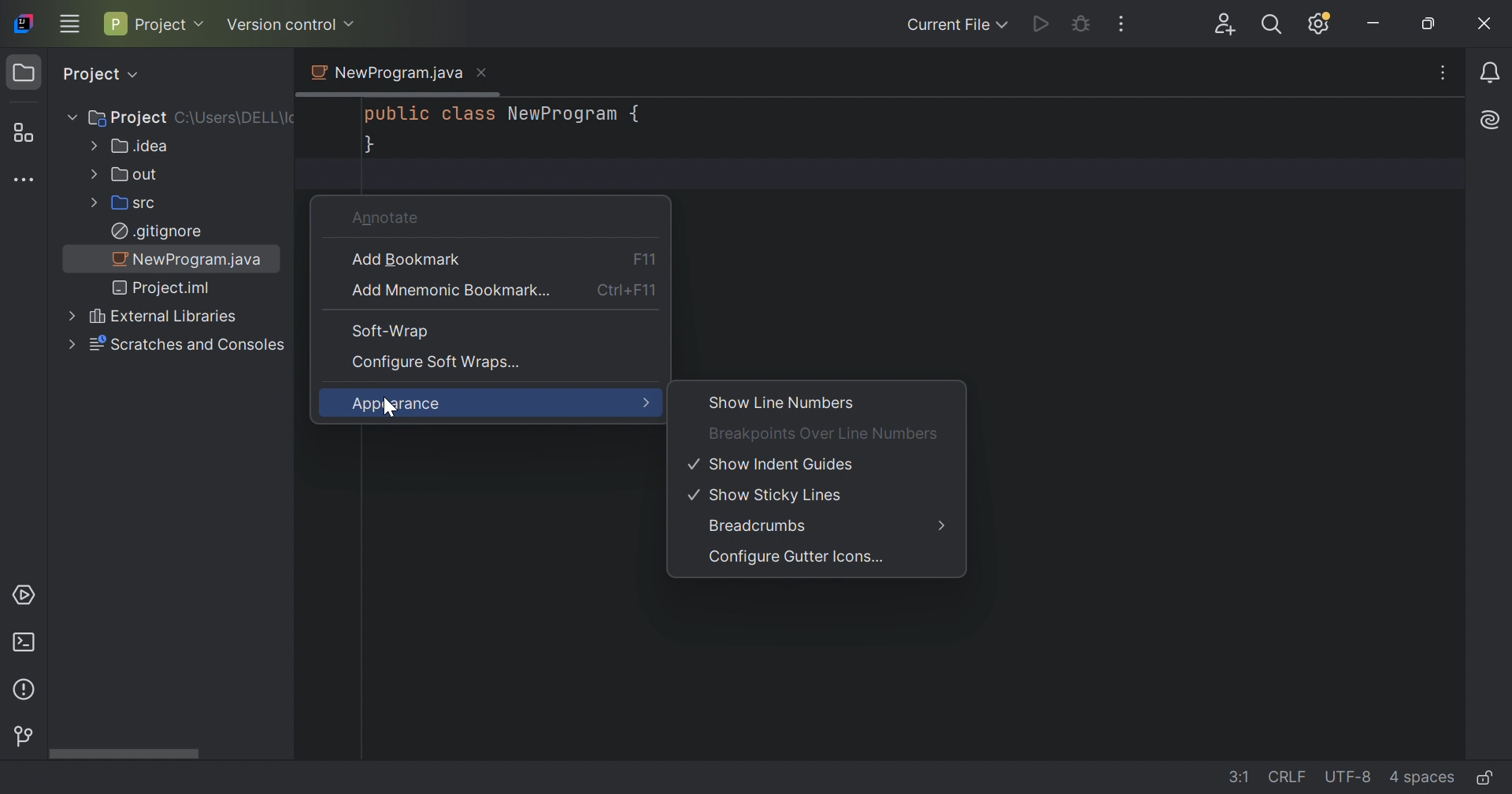  Describe the element at coordinates (22, 132) in the screenshot. I see `Structure` at that location.